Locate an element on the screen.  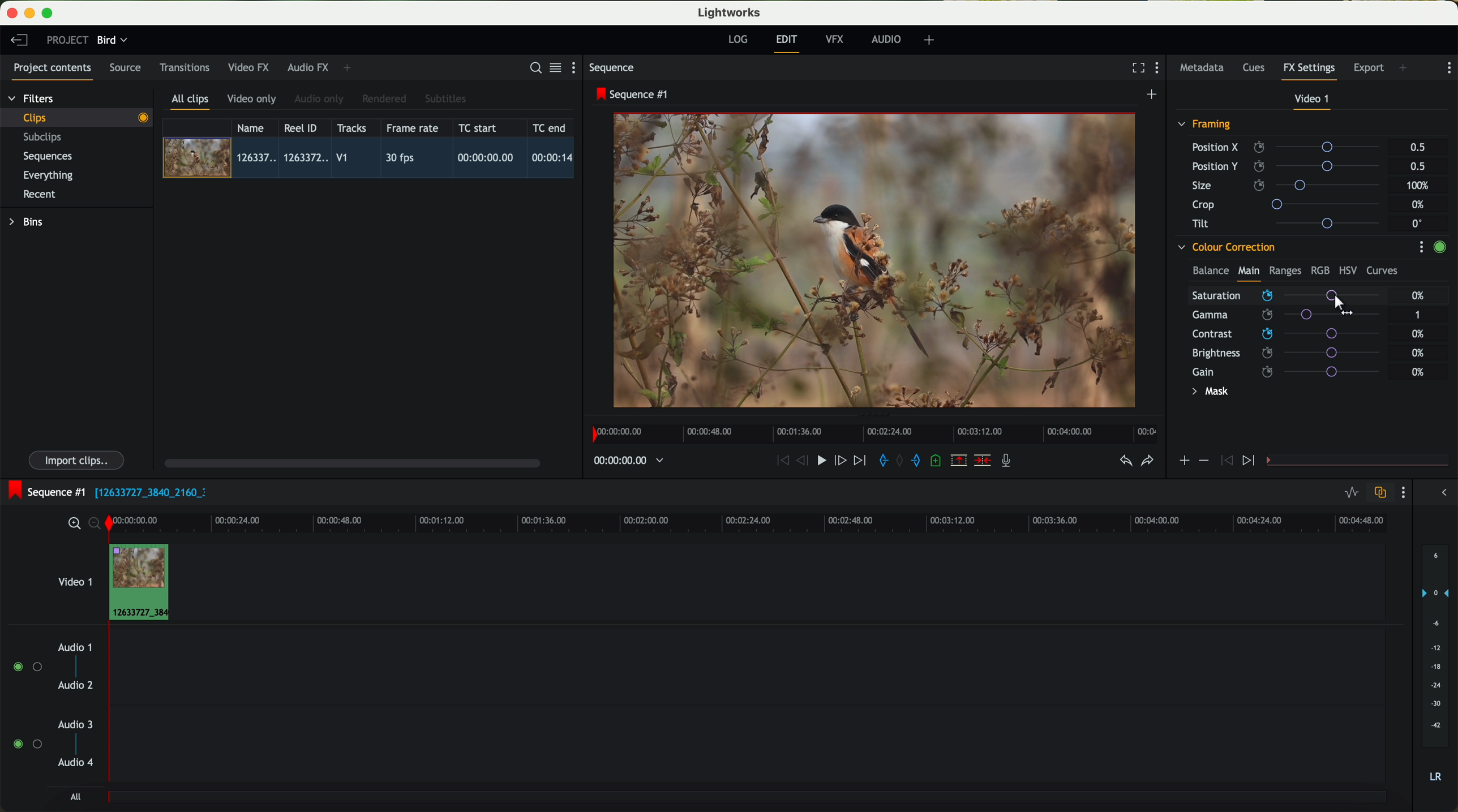
balance is located at coordinates (1211, 272).